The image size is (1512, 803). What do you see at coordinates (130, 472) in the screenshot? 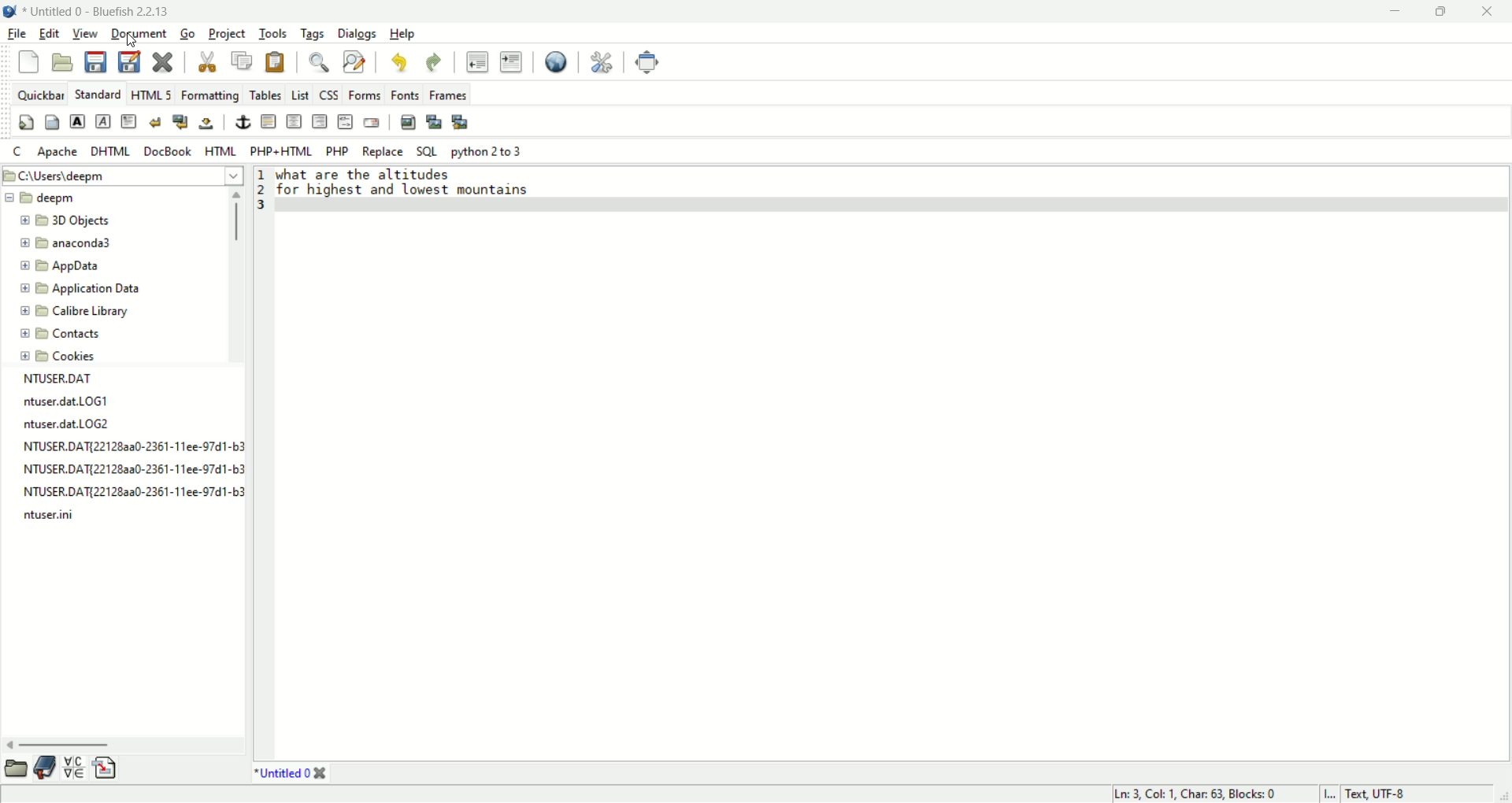
I see `file name` at bounding box center [130, 472].